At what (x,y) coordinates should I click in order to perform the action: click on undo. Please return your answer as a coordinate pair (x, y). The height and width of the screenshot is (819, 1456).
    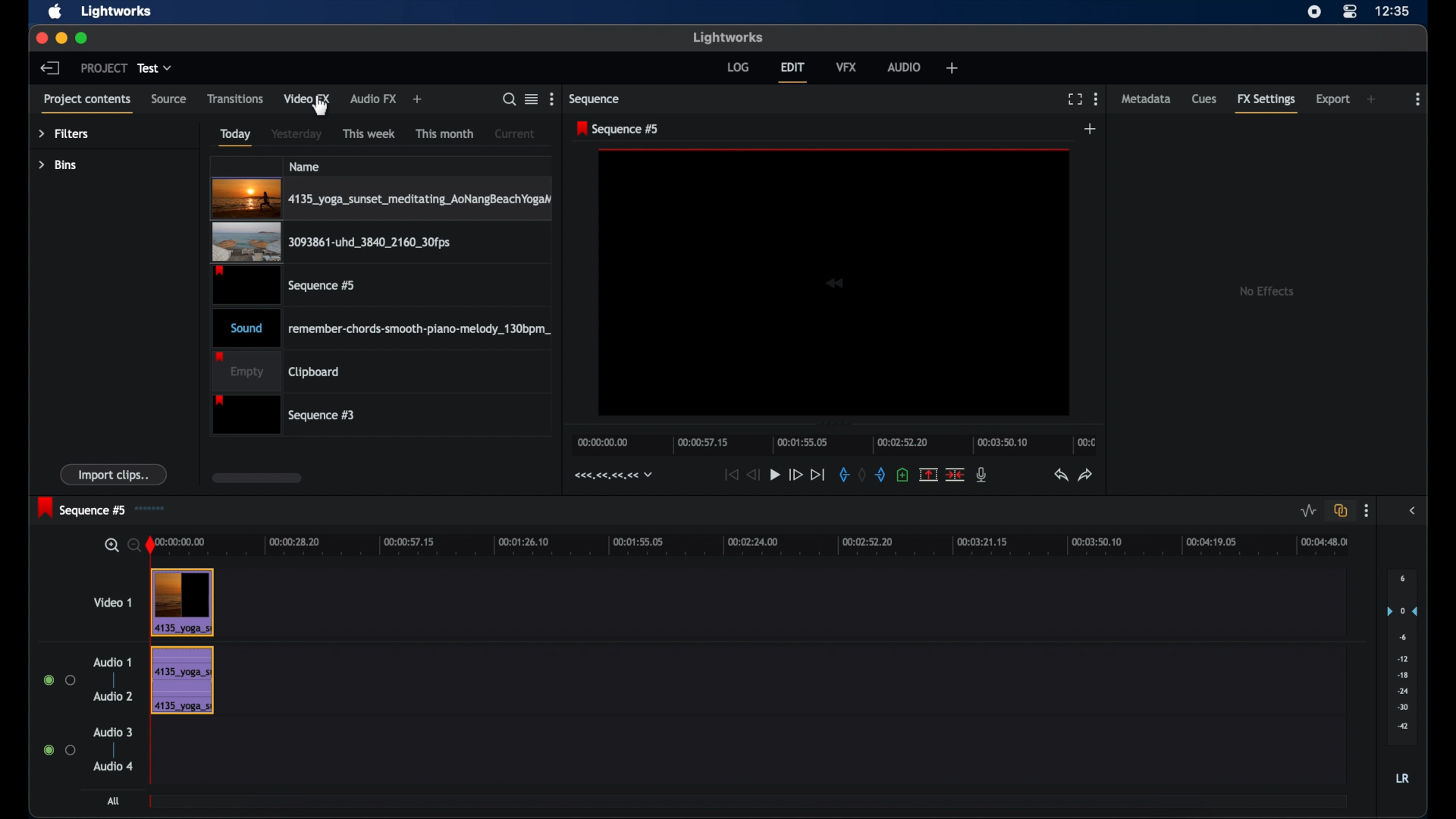
    Looking at the image, I should click on (1061, 475).